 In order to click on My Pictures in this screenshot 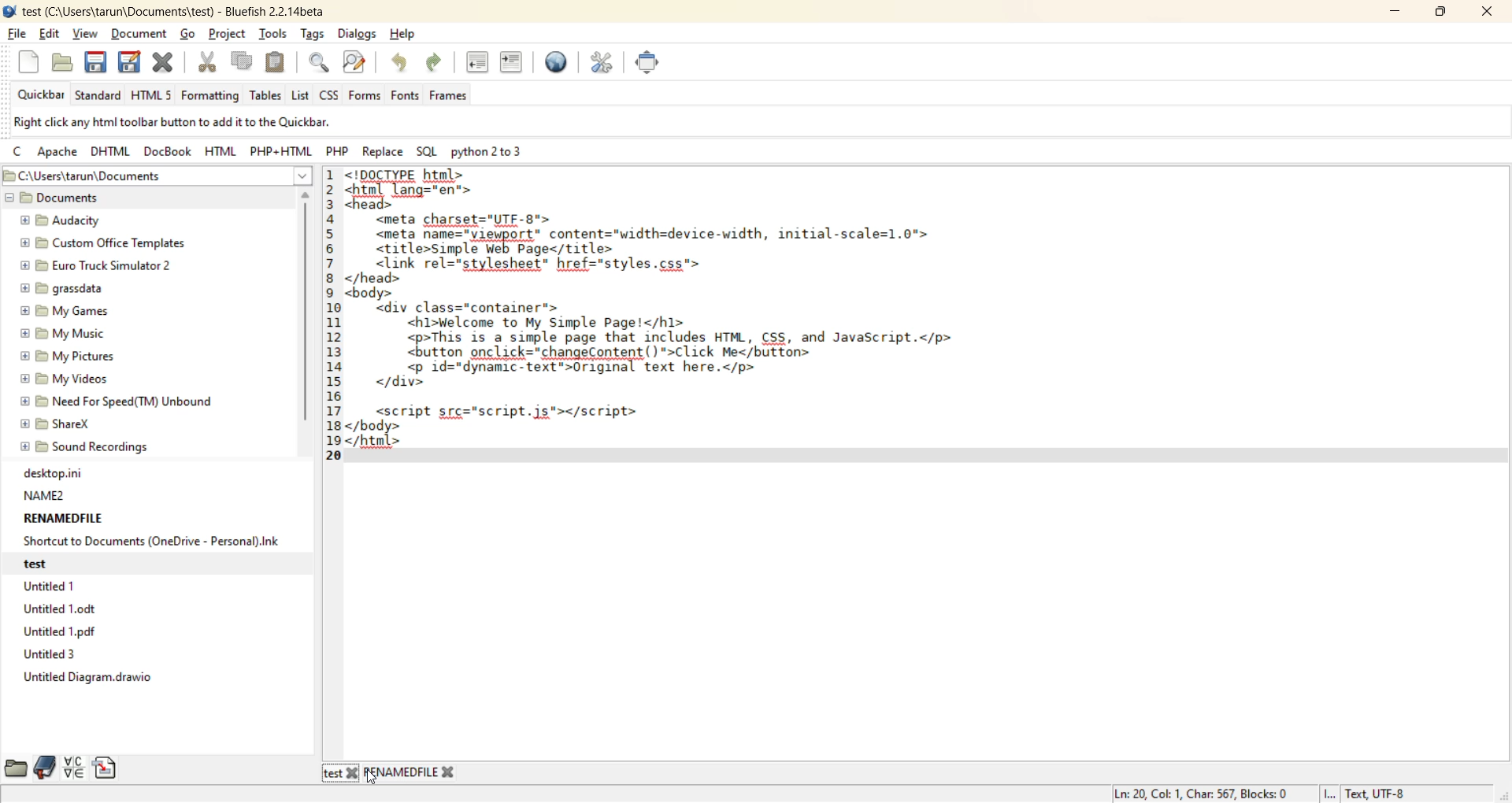, I will do `click(65, 354)`.